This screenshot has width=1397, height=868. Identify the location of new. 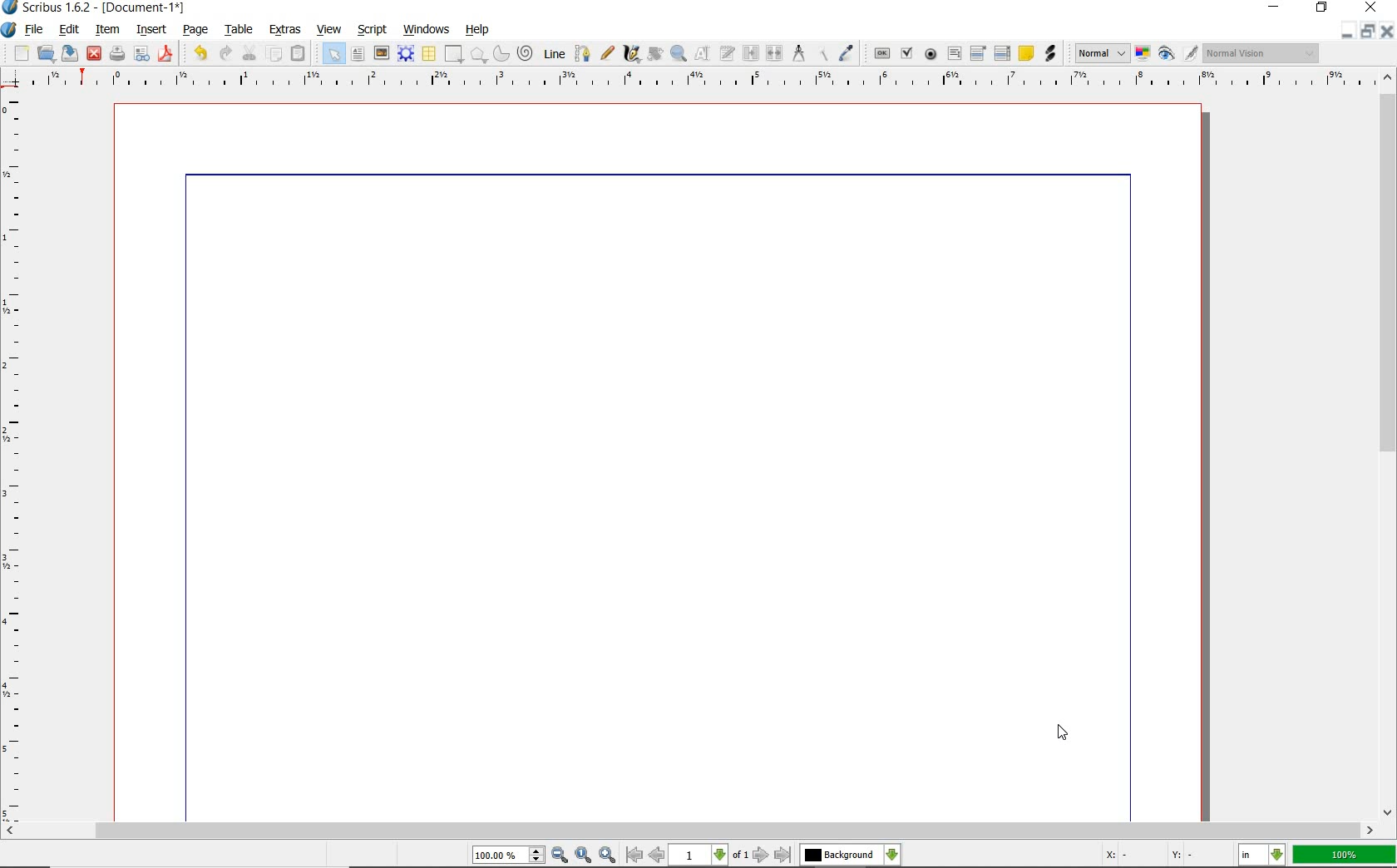
(20, 53).